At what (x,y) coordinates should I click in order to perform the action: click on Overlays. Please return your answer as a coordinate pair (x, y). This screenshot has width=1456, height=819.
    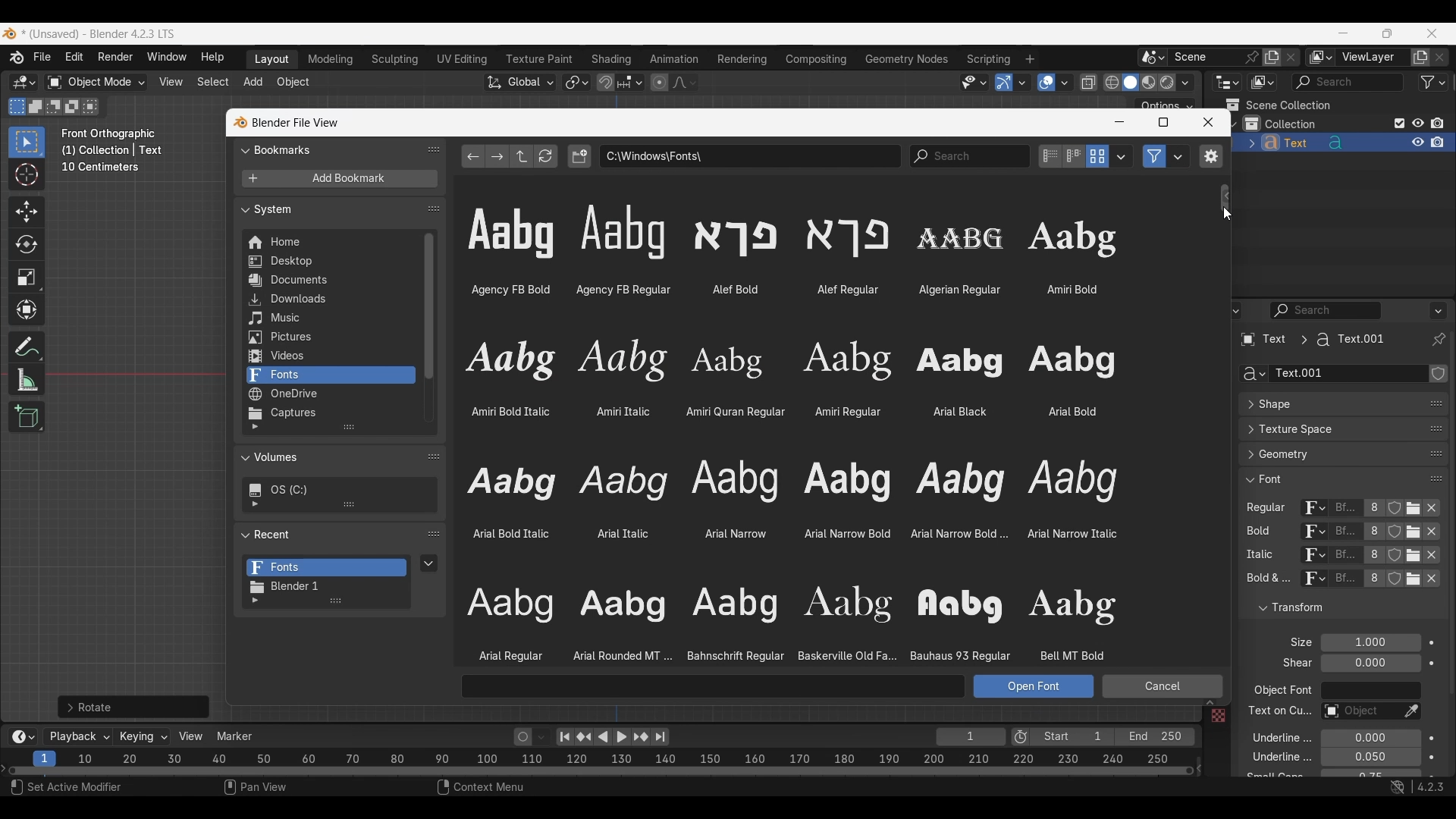
    Looking at the image, I should click on (1064, 83).